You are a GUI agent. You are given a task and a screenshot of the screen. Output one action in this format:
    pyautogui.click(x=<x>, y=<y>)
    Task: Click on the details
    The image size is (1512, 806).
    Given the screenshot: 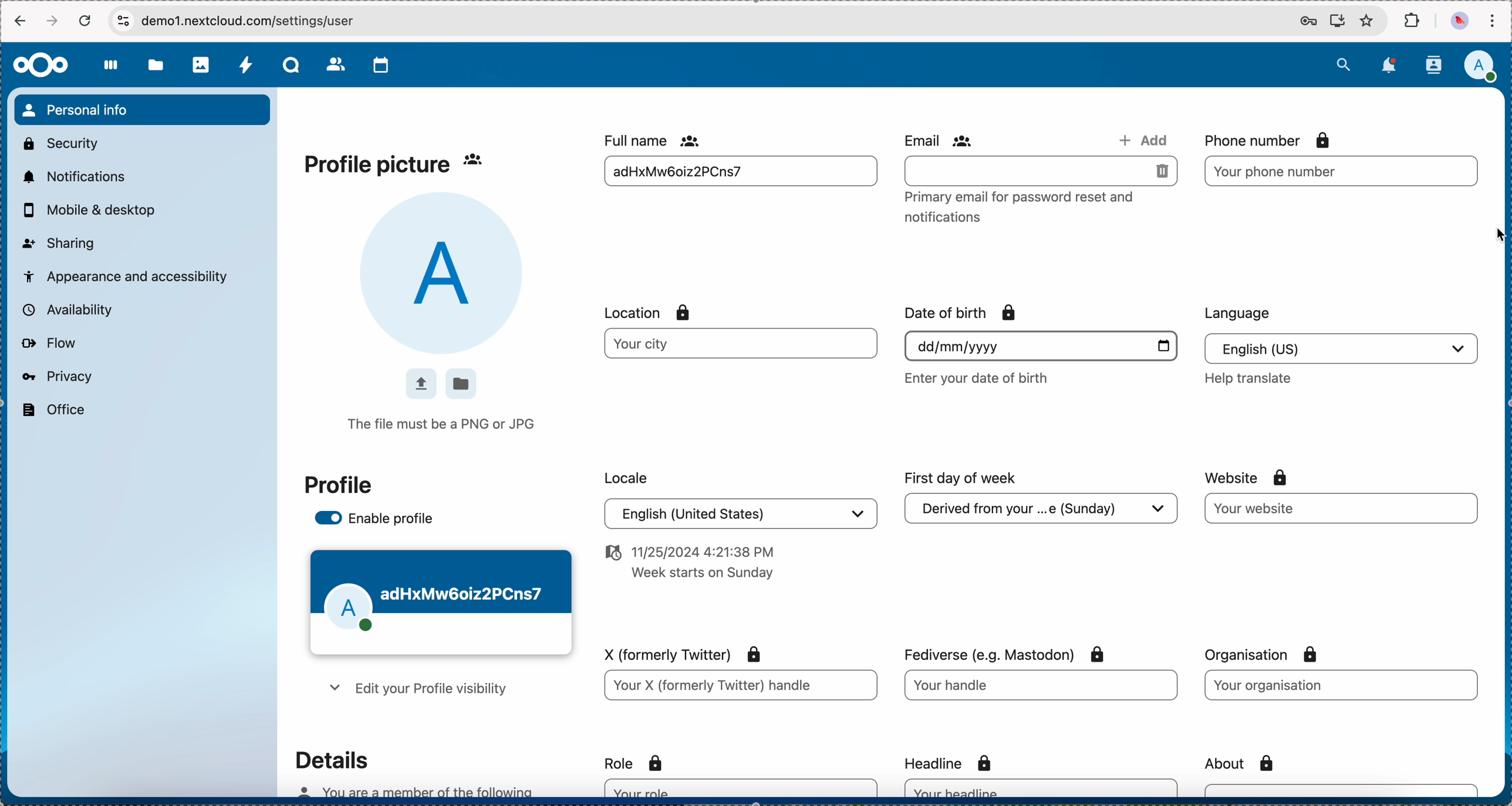 What is the action you would take?
    pyautogui.click(x=330, y=760)
    